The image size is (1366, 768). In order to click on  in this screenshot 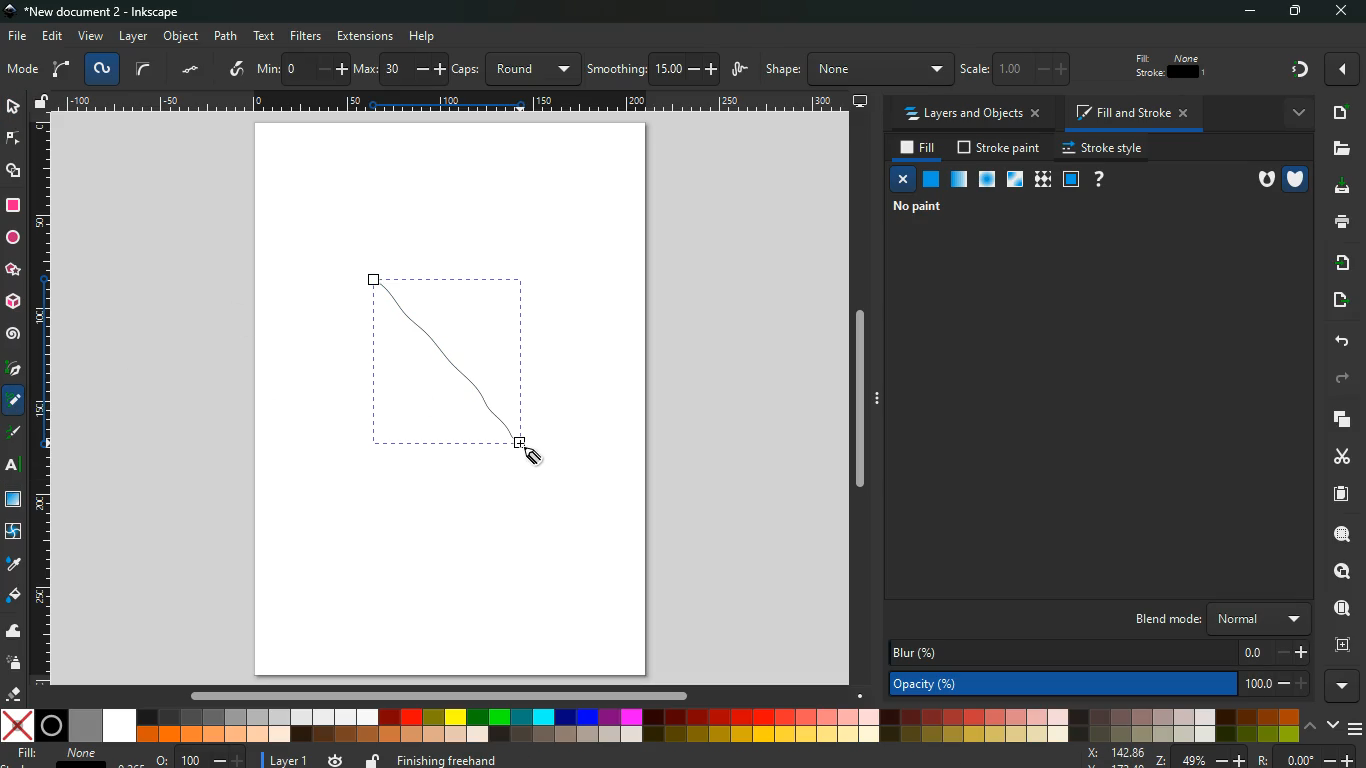, I will do `click(435, 696)`.